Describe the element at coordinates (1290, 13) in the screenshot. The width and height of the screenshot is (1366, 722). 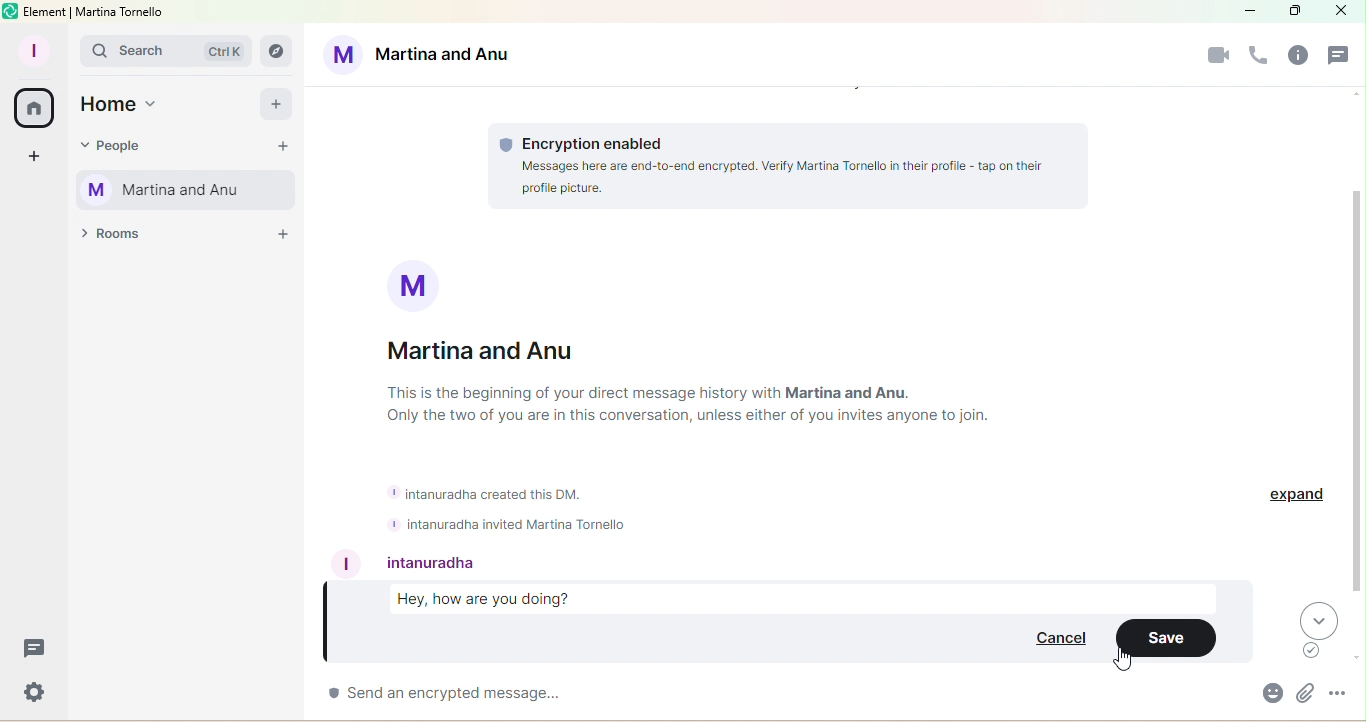
I see `Maximize` at that location.